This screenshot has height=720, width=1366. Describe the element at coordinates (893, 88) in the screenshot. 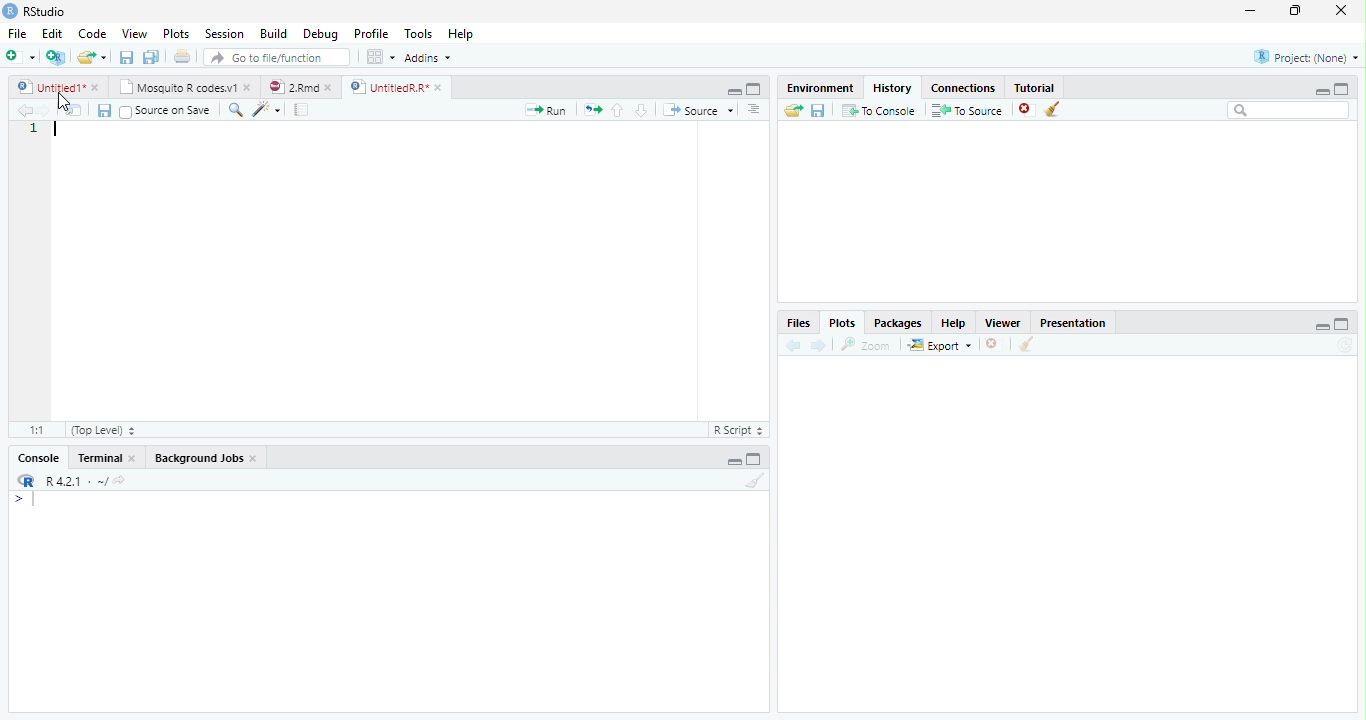

I see `History` at that location.